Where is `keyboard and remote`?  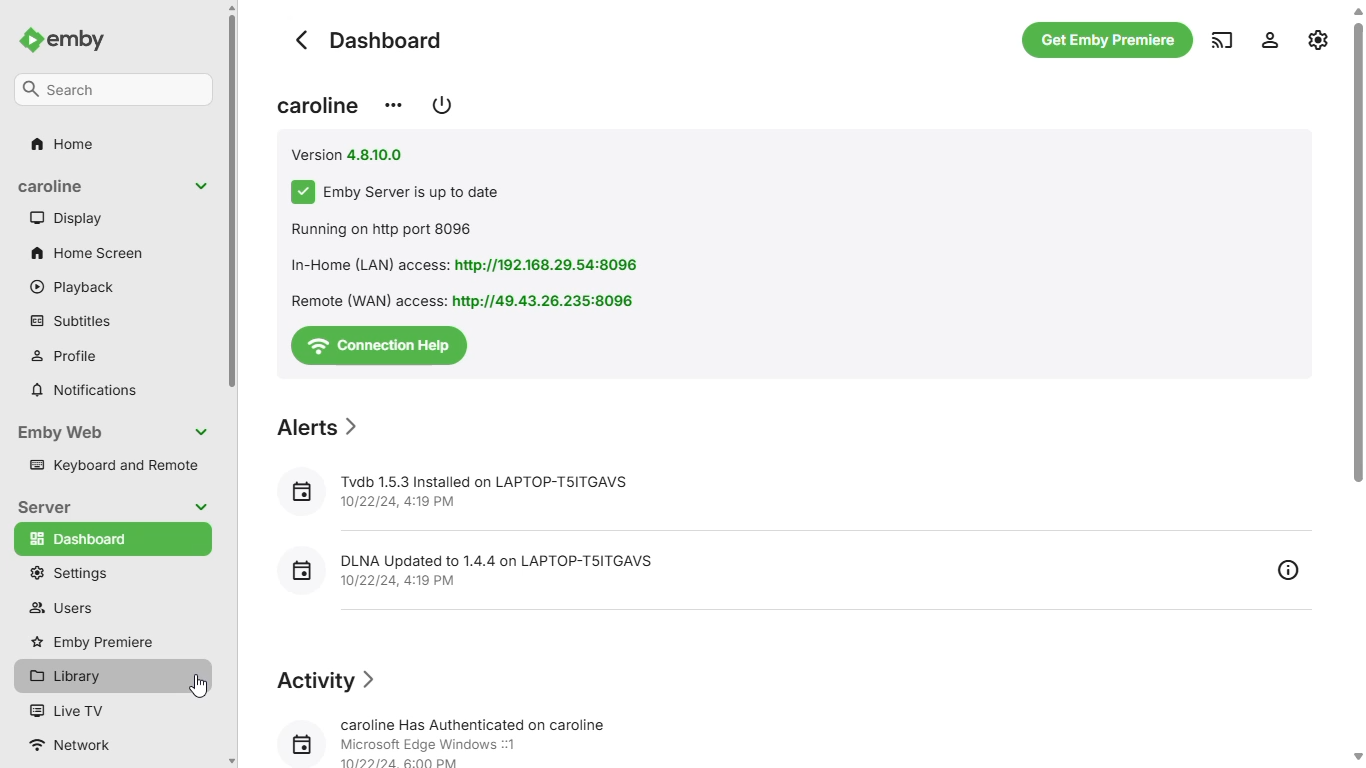
keyboard and remote is located at coordinates (113, 463).